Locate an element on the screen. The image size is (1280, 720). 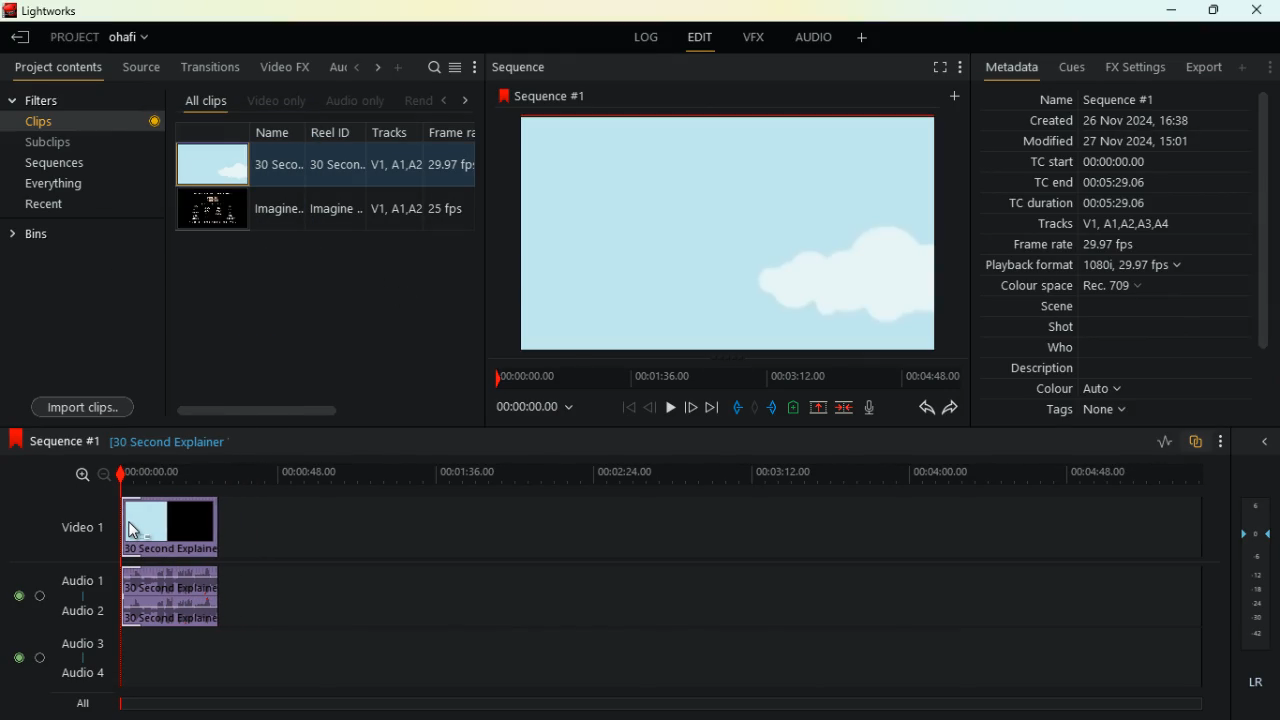
tags is located at coordinates (1084, 413).